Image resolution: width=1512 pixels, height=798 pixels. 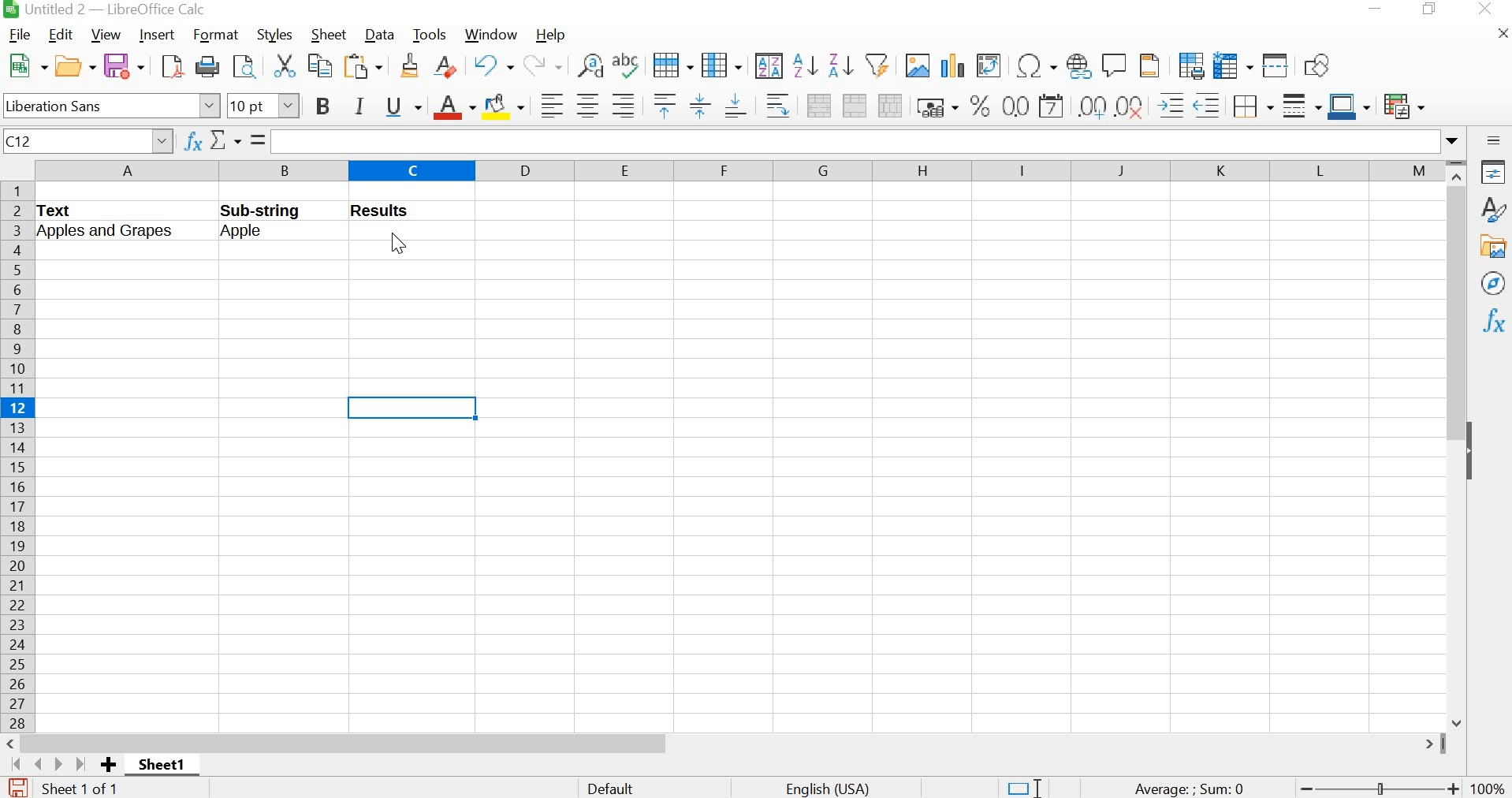 What do you see at coordinates (1015, 106) in the screenshot?
I see `format as number` at bounding box center [1015, 106].